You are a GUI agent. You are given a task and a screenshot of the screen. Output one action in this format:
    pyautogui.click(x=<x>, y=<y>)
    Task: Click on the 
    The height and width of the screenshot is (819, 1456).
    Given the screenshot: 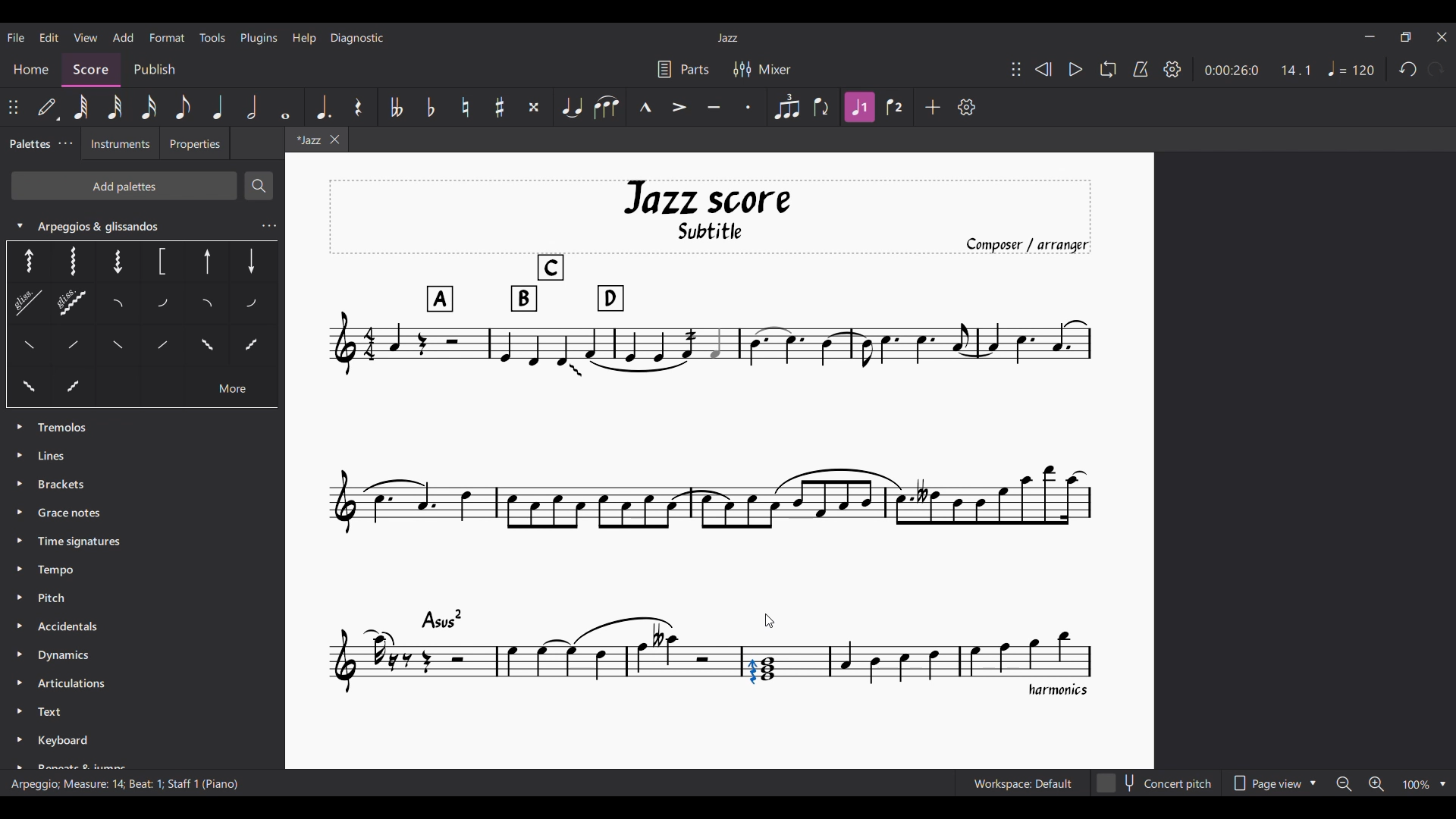 What is the action you would take?
    pyautogui.click(x=236, y=388)
    